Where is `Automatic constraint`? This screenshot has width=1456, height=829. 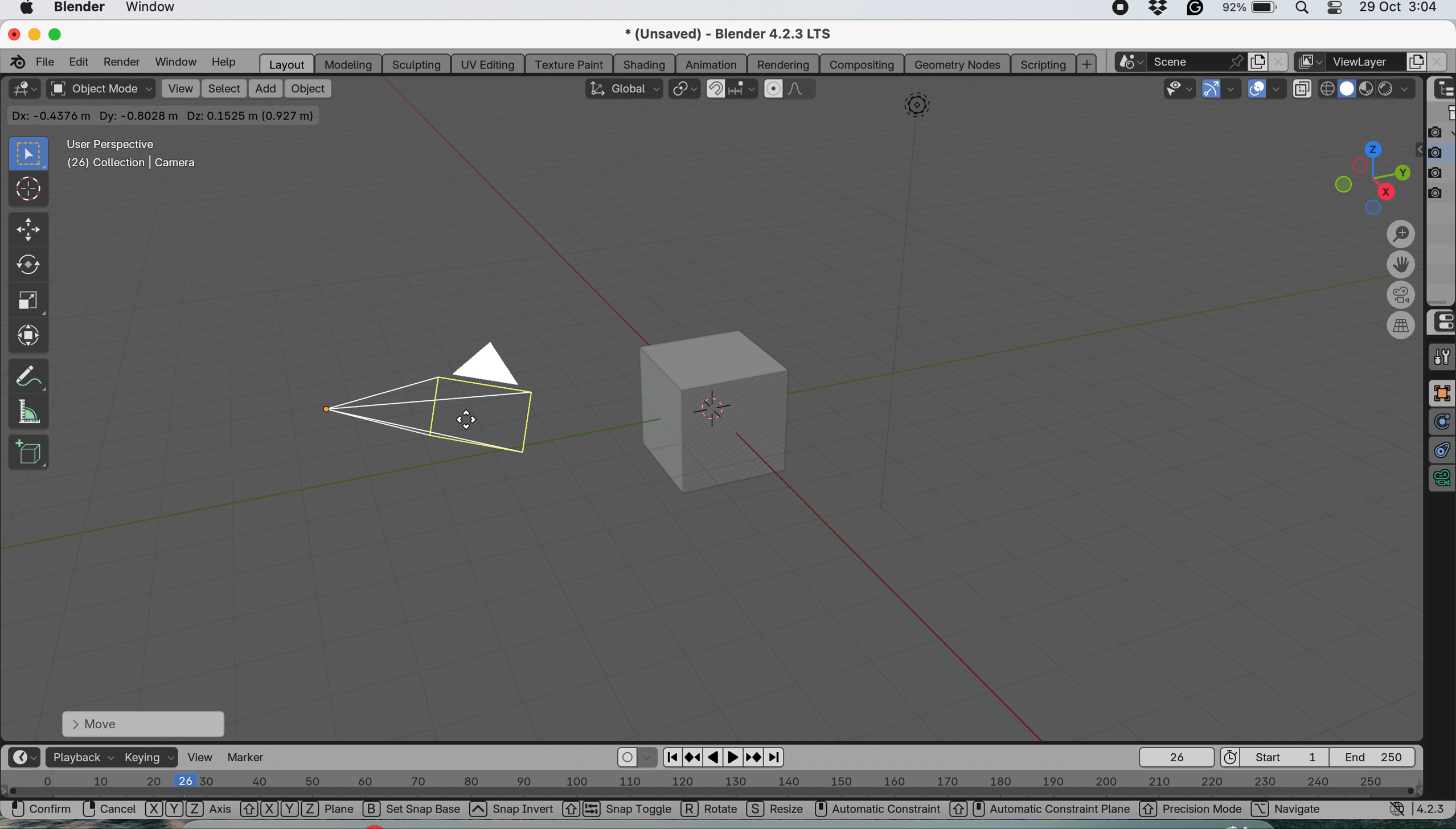 Automatic constraint is located at coordinates (888, 809).